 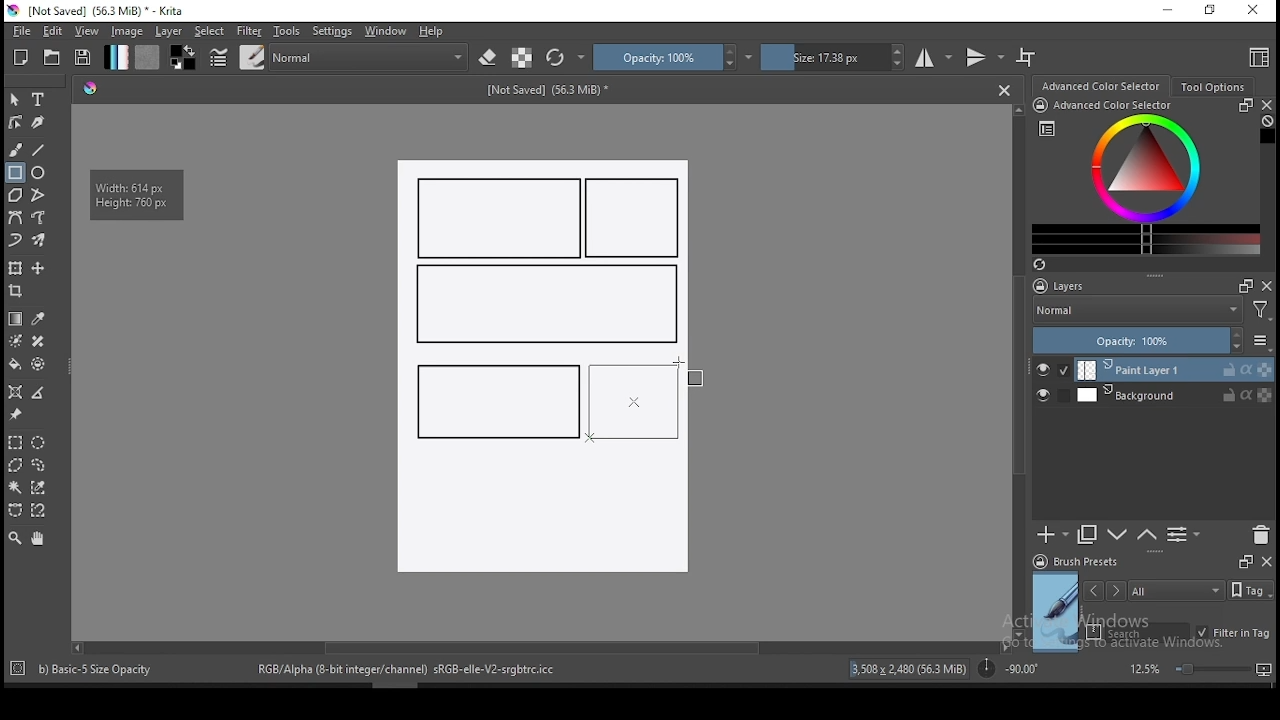 What do you see at coordinates (985, 55) in the screenshot?
I see `` at bounding box center [985, 55].